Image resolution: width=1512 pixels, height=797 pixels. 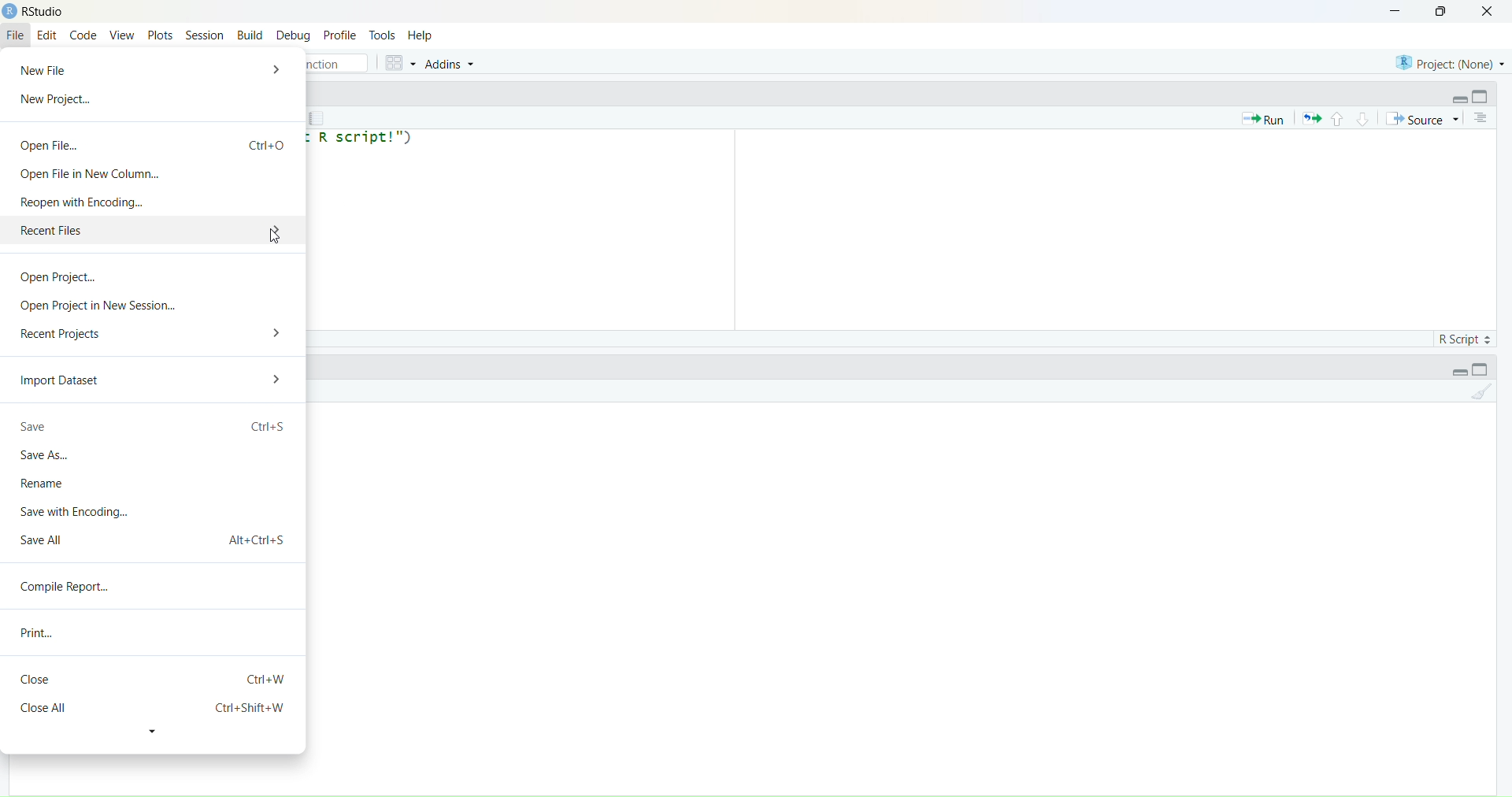 What do you see at coordinates (1486, 369) in the screenshot?
I see `Maximize` at bounding box center [1486, 369].